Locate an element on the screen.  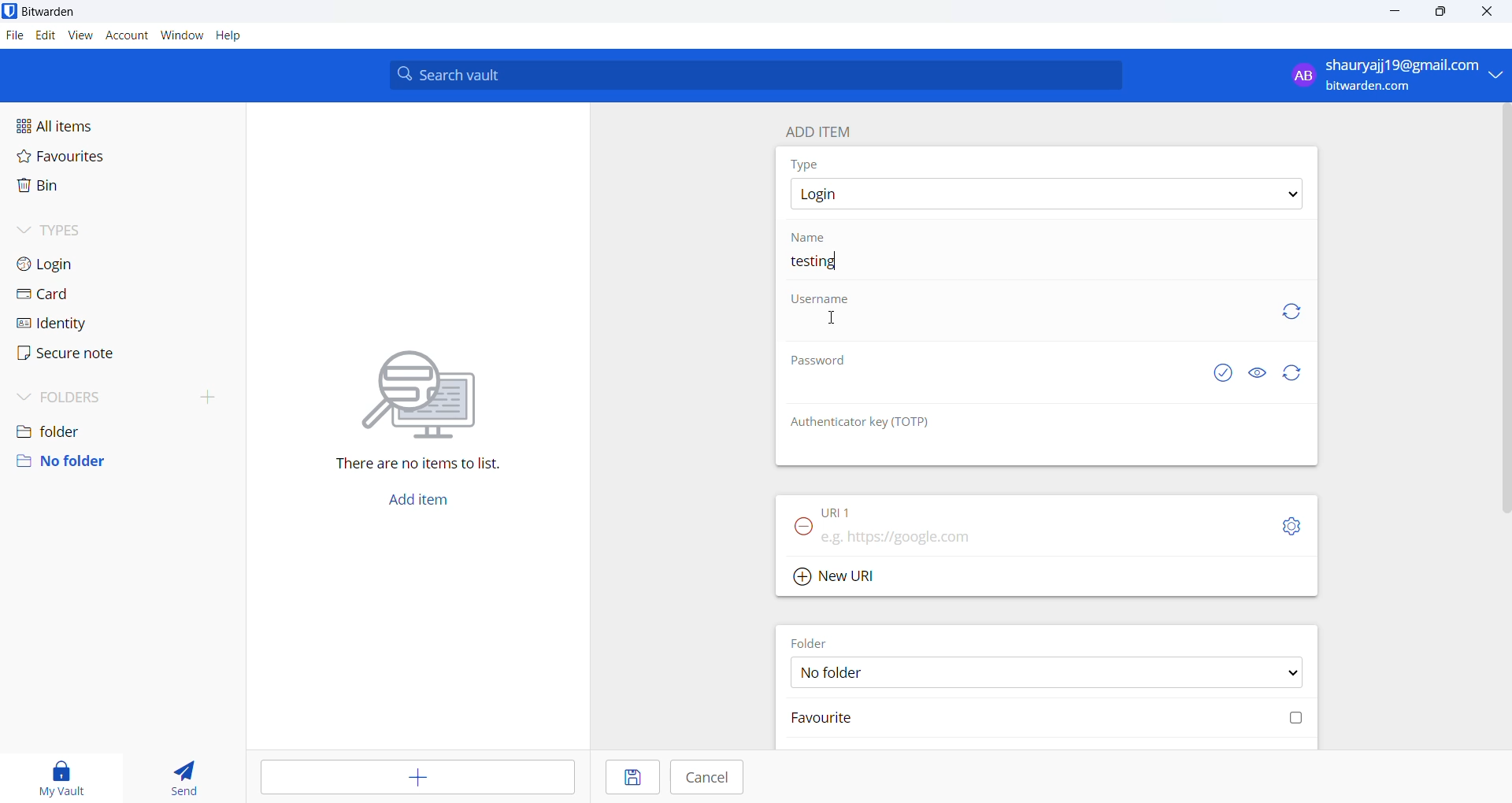
account is located at coordinates (125, 36).